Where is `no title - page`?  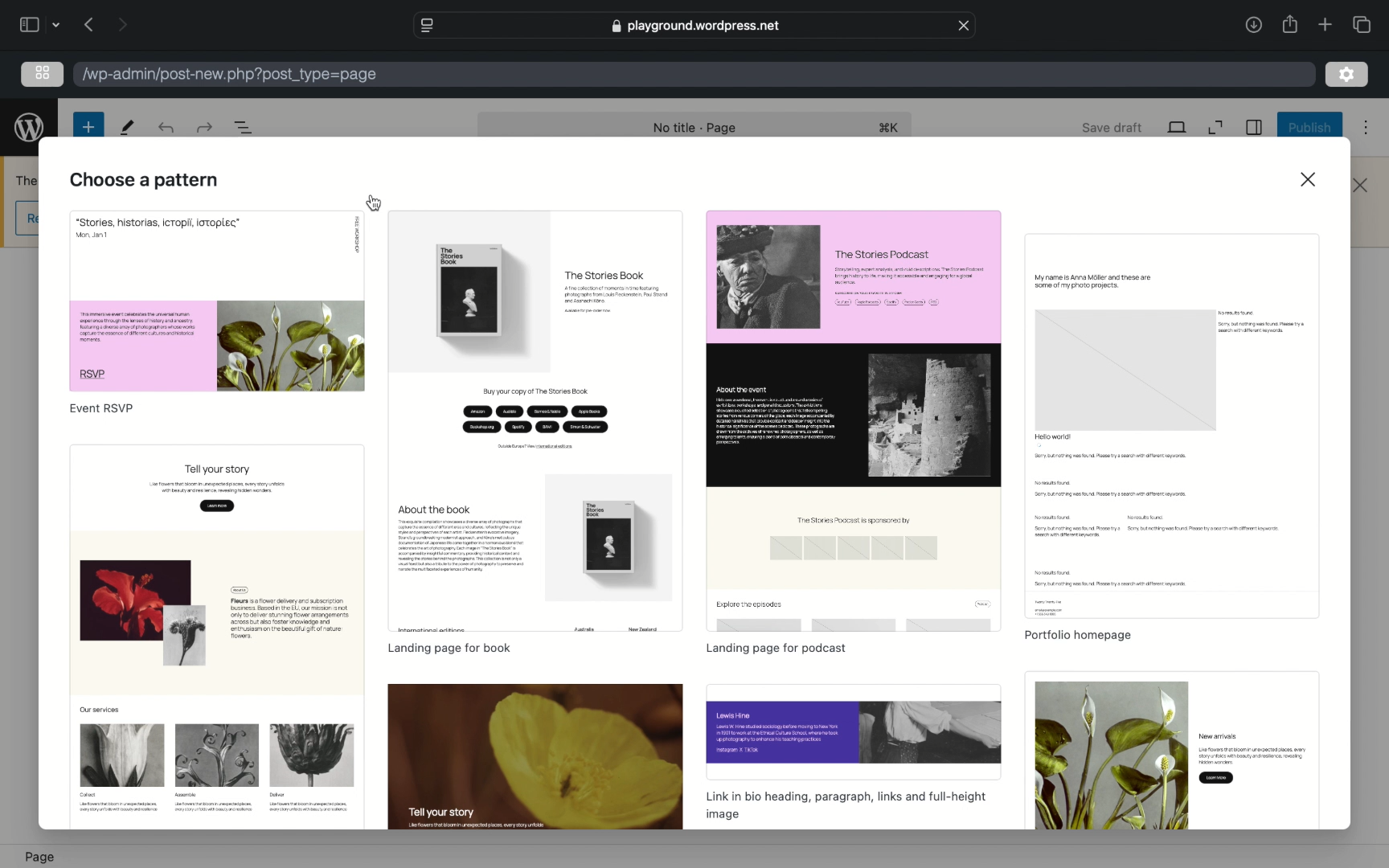
no title - page is located at coordinates (695, 129).